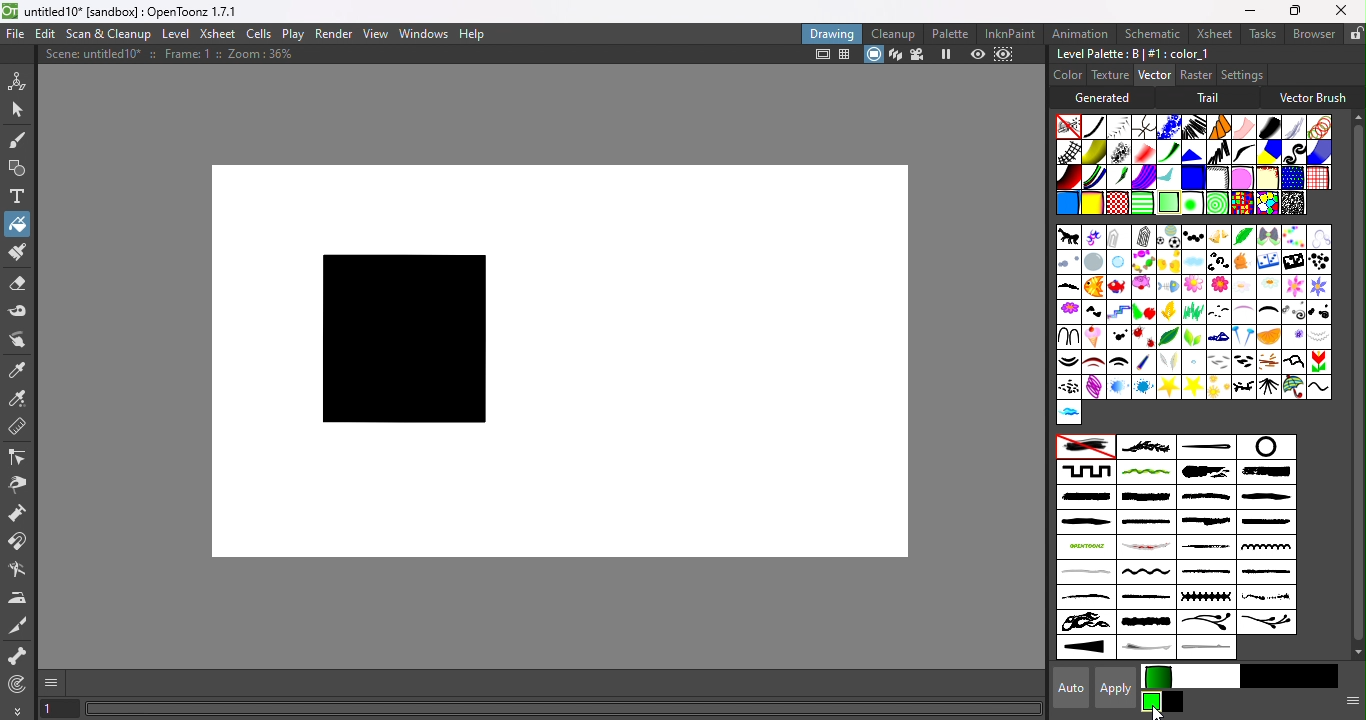 This screenshot has height=720, width=1366. I want to click on Offset, so click(1192, 178).